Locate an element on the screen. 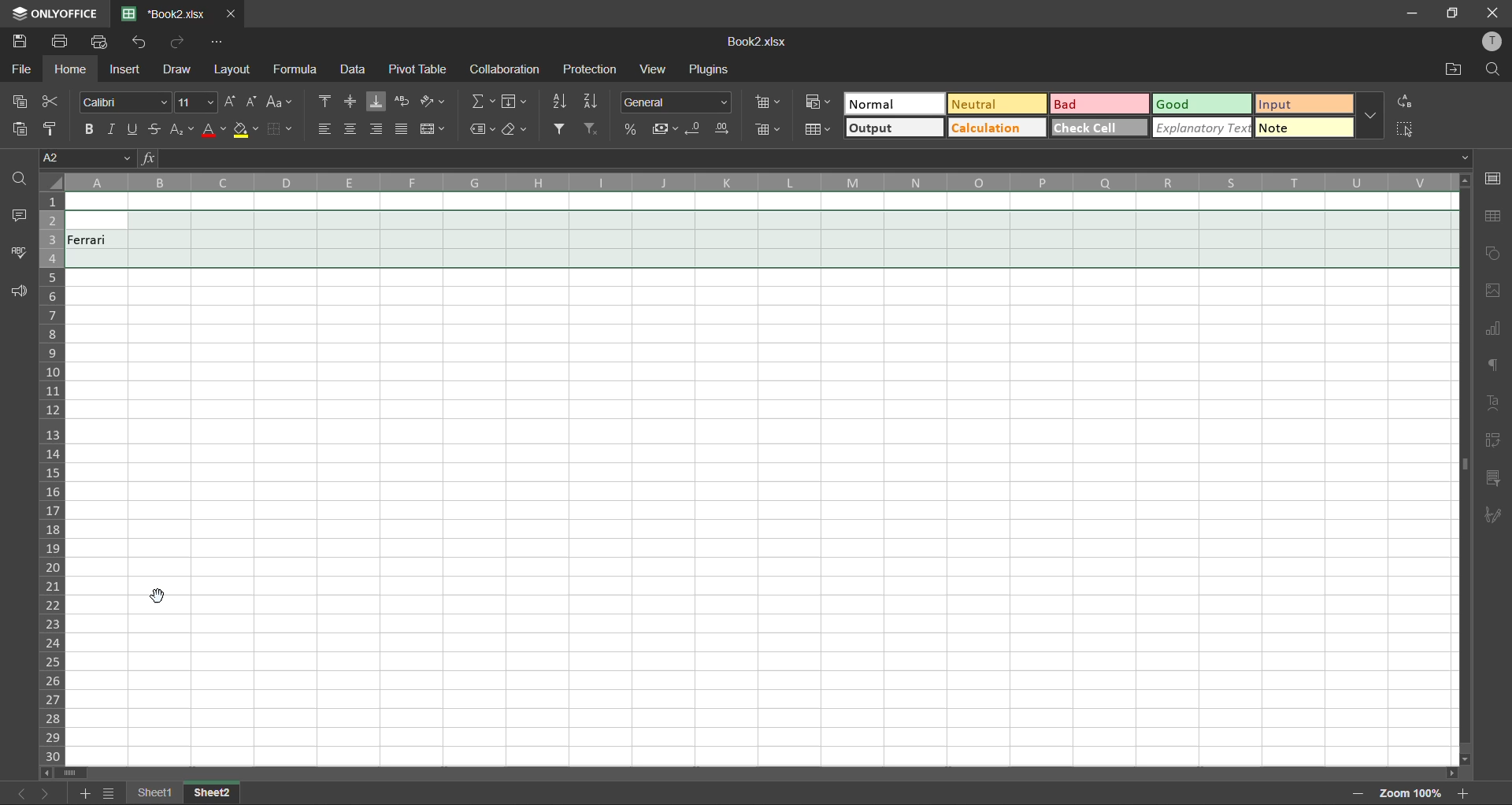  orientation is located at coordinates (435, 101).